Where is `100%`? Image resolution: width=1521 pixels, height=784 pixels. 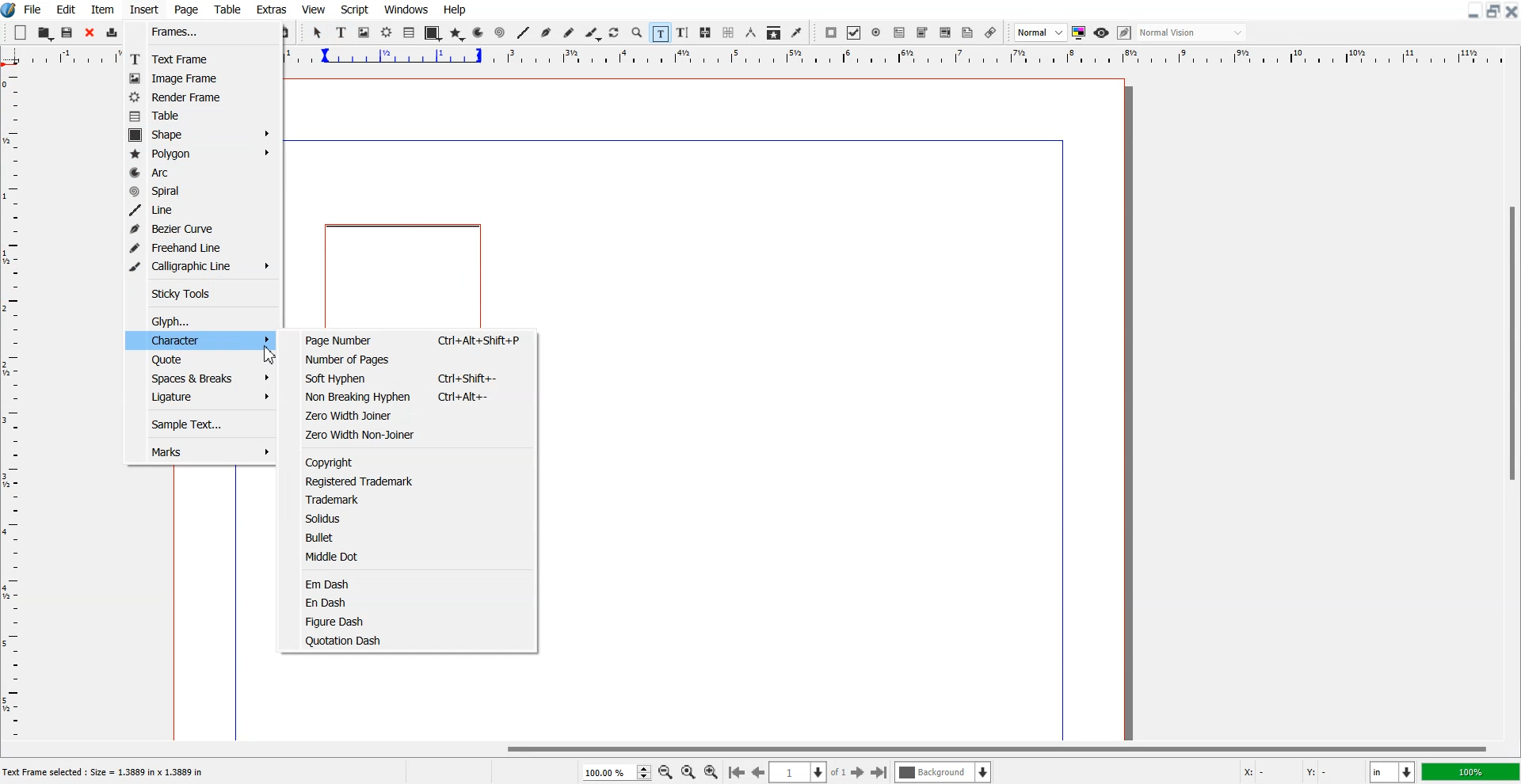 100% is located at coordinates (1472, 771).